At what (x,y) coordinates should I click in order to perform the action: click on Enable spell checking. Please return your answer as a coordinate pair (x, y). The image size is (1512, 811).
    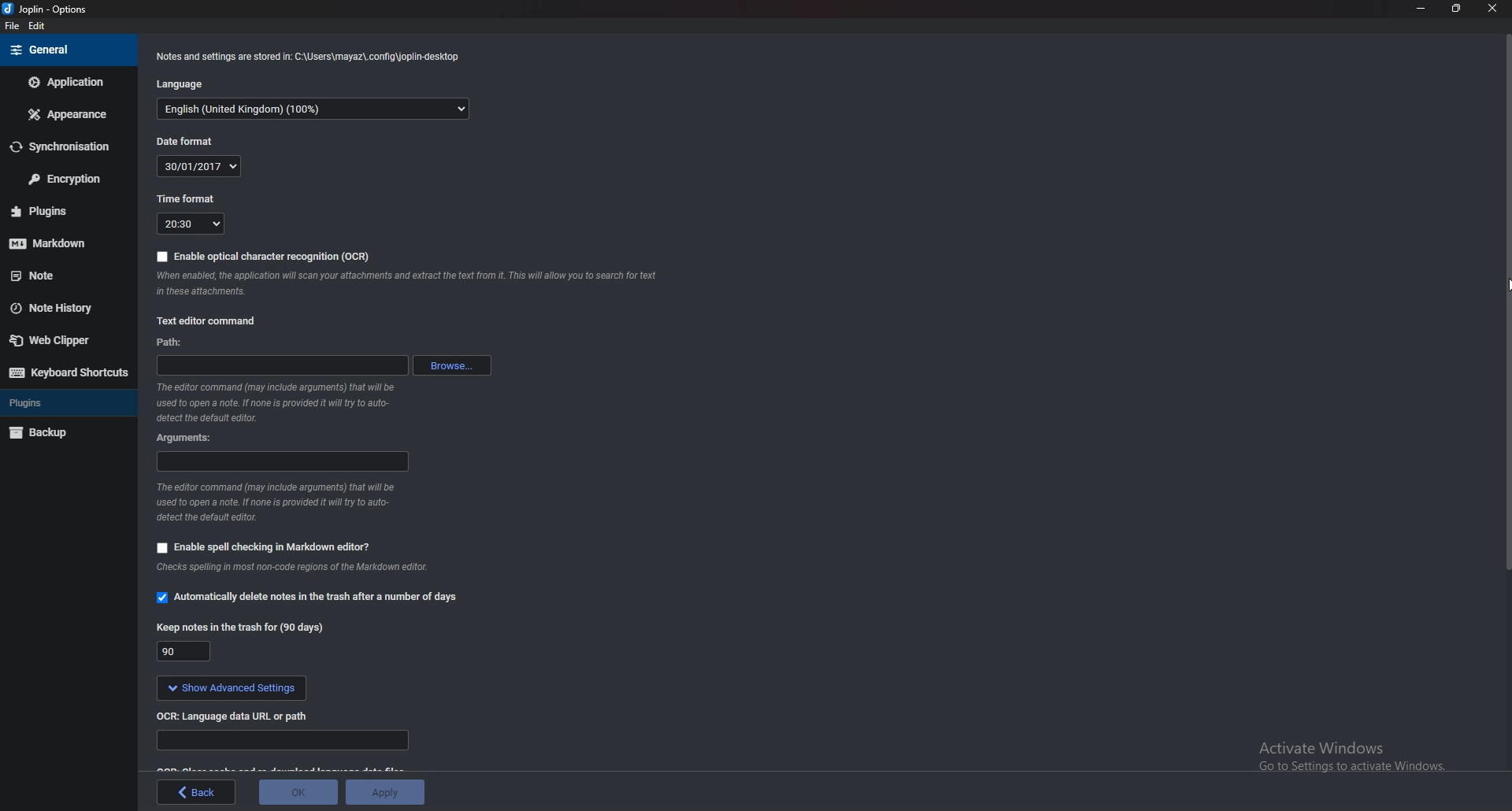
    Looking at the image, I should click on (261, 546).